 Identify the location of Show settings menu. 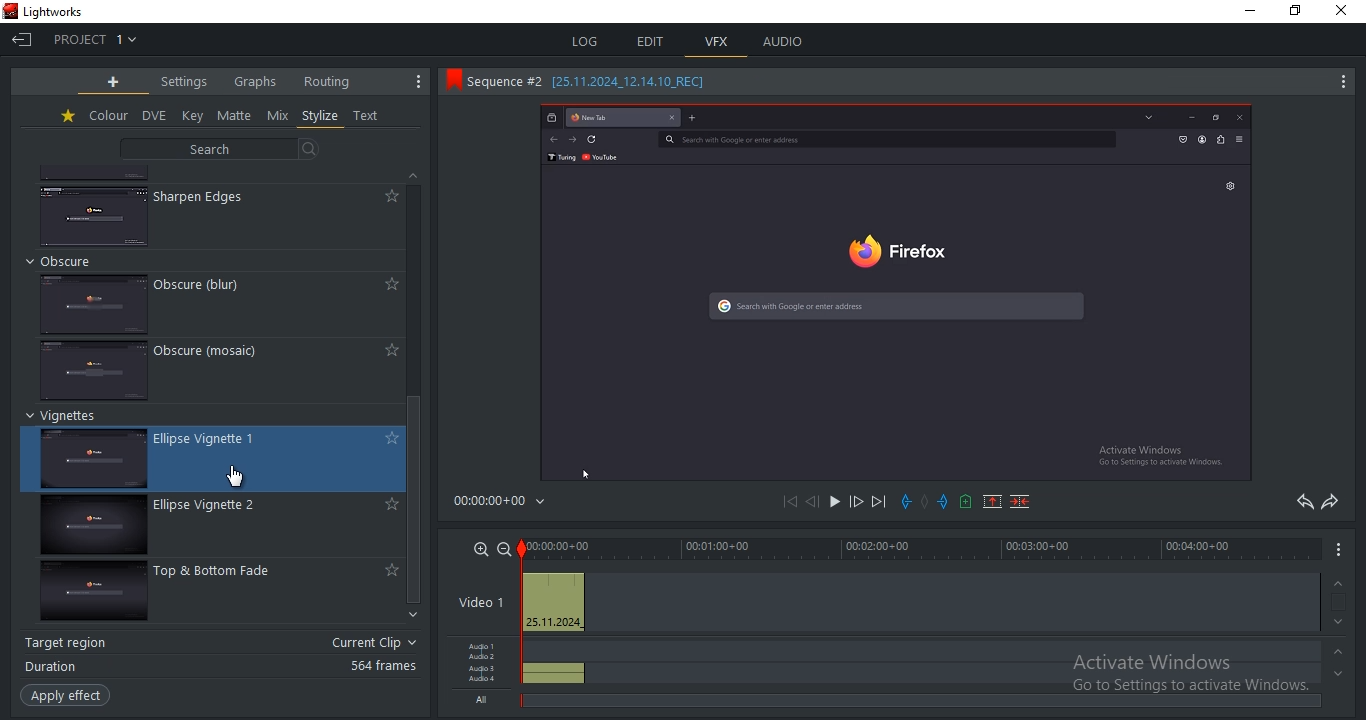
(414, 82).